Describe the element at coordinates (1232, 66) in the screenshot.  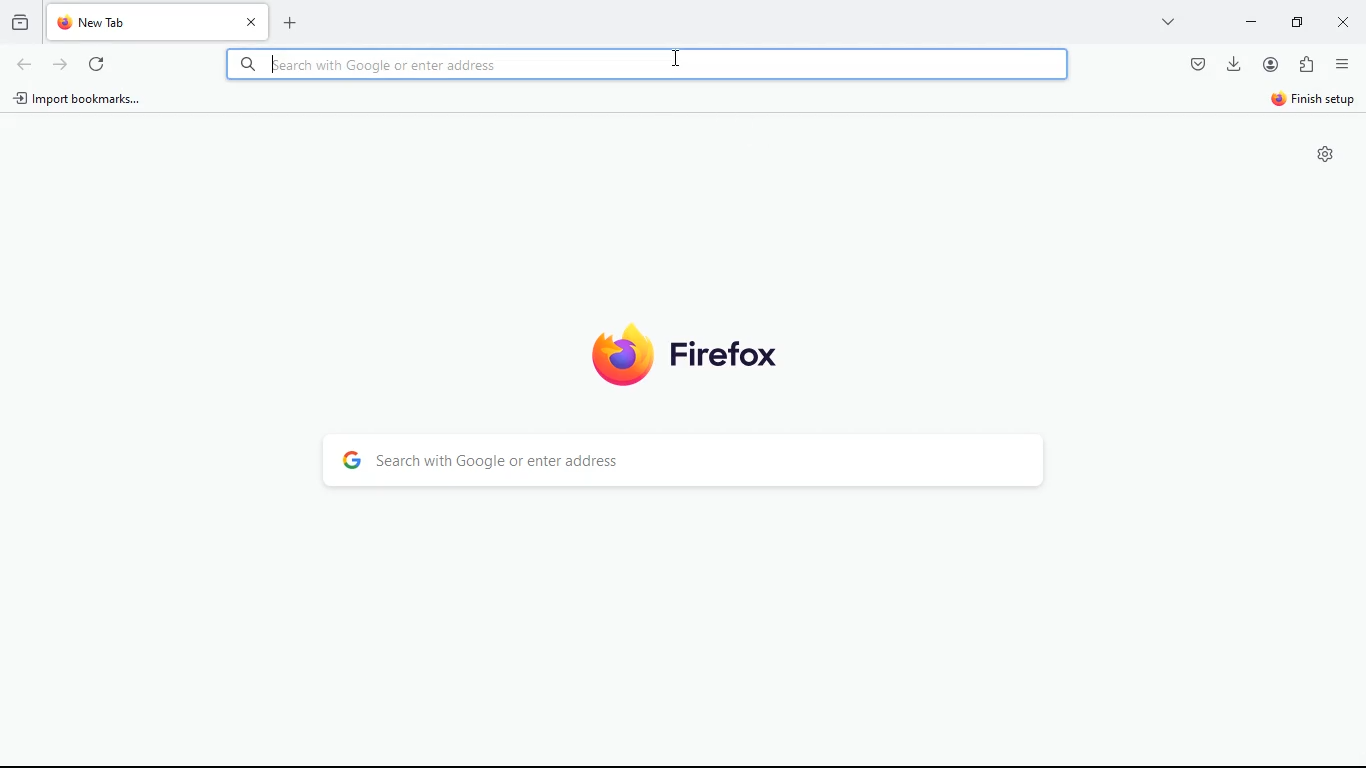
I see `download` at that location.